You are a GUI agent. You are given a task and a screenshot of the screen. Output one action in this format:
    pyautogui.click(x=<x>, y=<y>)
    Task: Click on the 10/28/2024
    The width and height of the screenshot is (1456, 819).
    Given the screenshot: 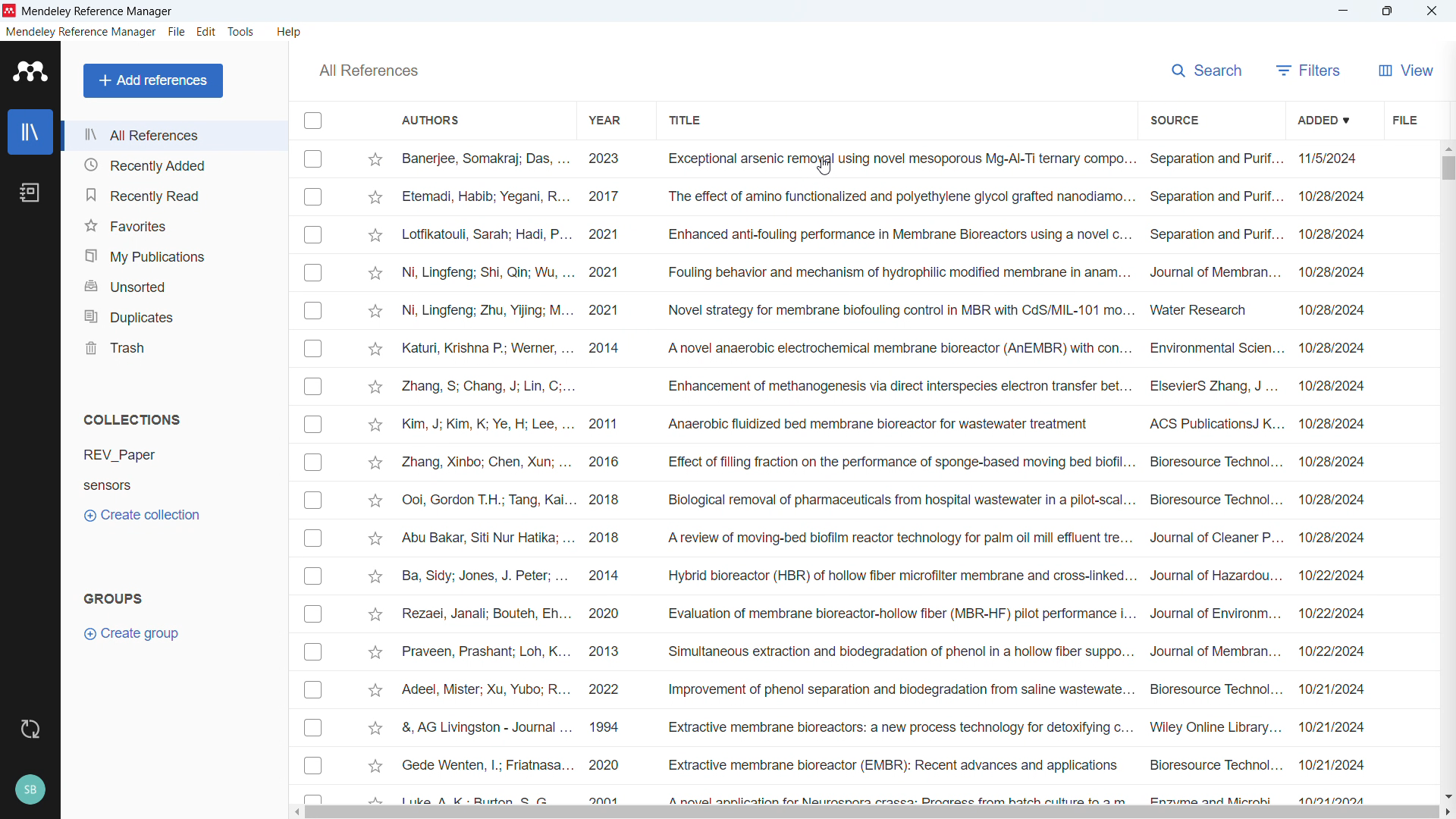 What is the action you would take?
    pyautogui.click(x=1348, y=353)
    